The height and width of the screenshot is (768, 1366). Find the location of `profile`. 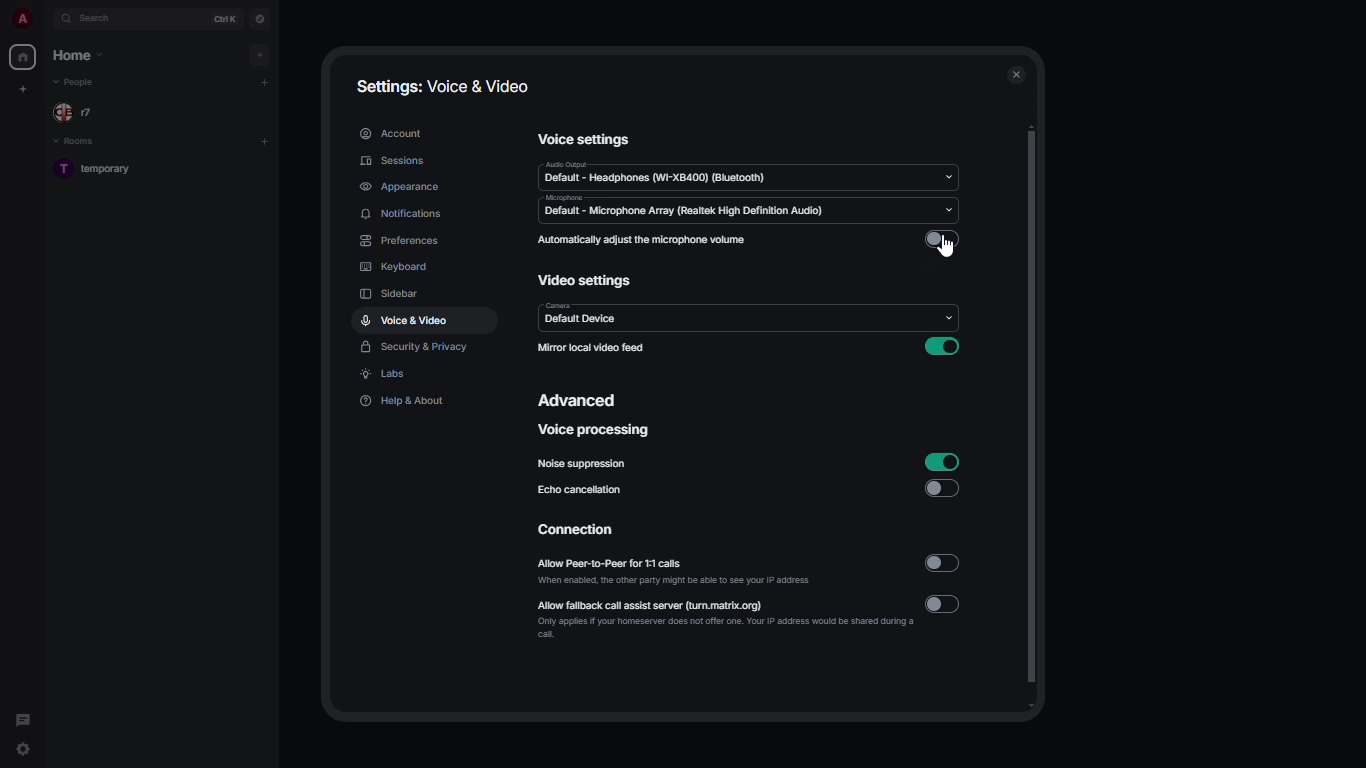

profile is located at coordinates (21, 18).